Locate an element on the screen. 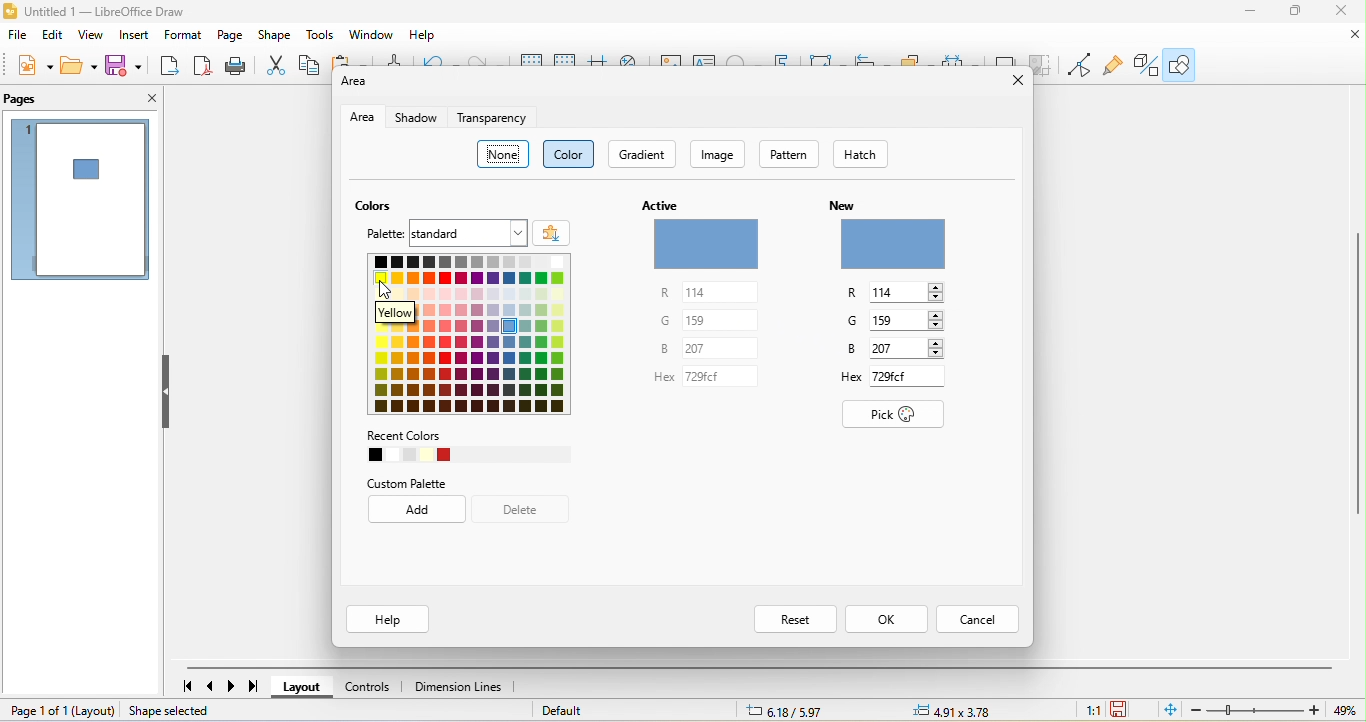 The image size is (1366, 722). next page is located at coordinates (235, 686).